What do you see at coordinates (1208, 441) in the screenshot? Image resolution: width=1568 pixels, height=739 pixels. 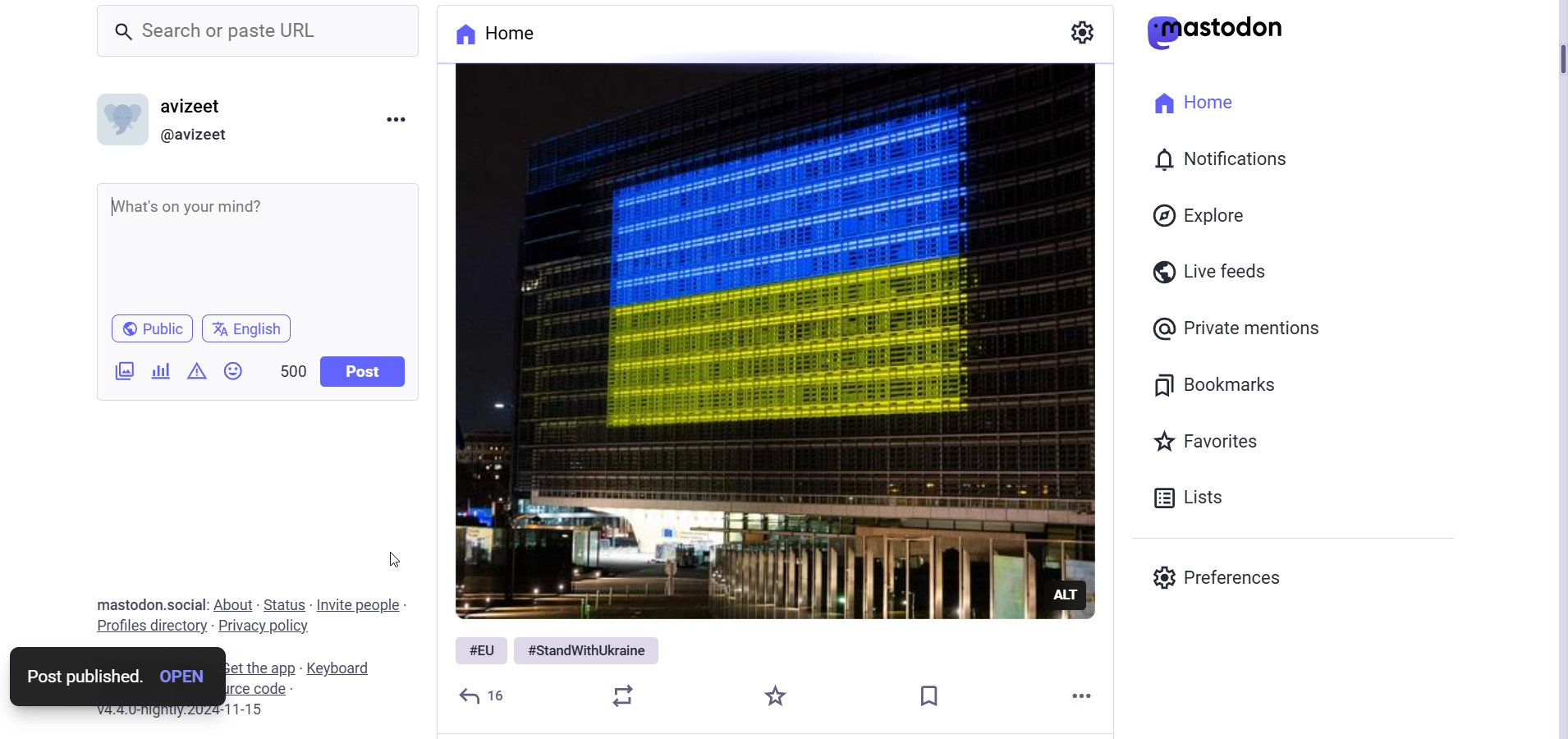 I see `Favorites` at bounding box center [1208, 441].